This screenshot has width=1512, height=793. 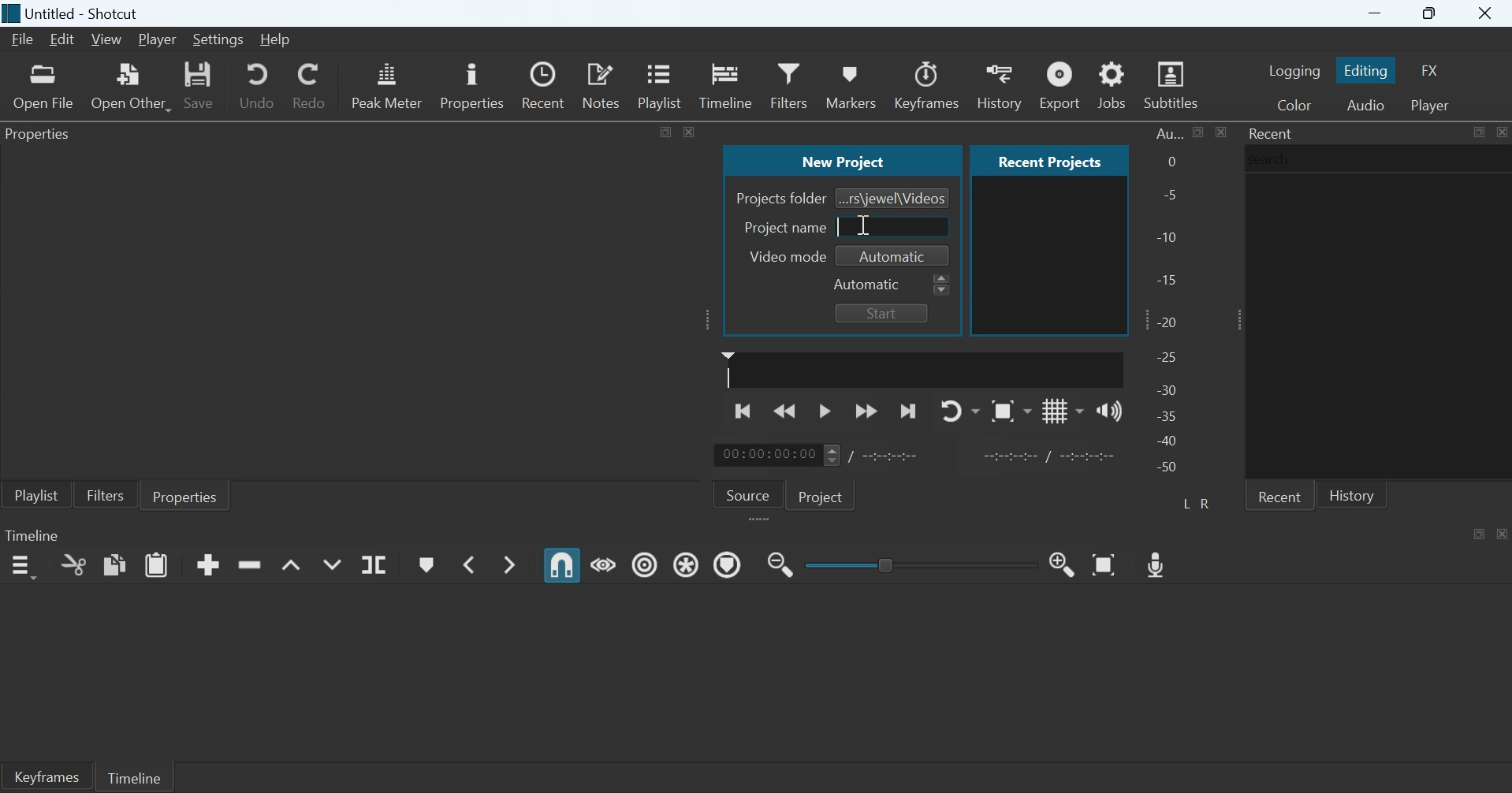 What do you see at coordinates (780, 563) in the screenshot?
I see `zoom timeline out` at bounding box center [780, 563].